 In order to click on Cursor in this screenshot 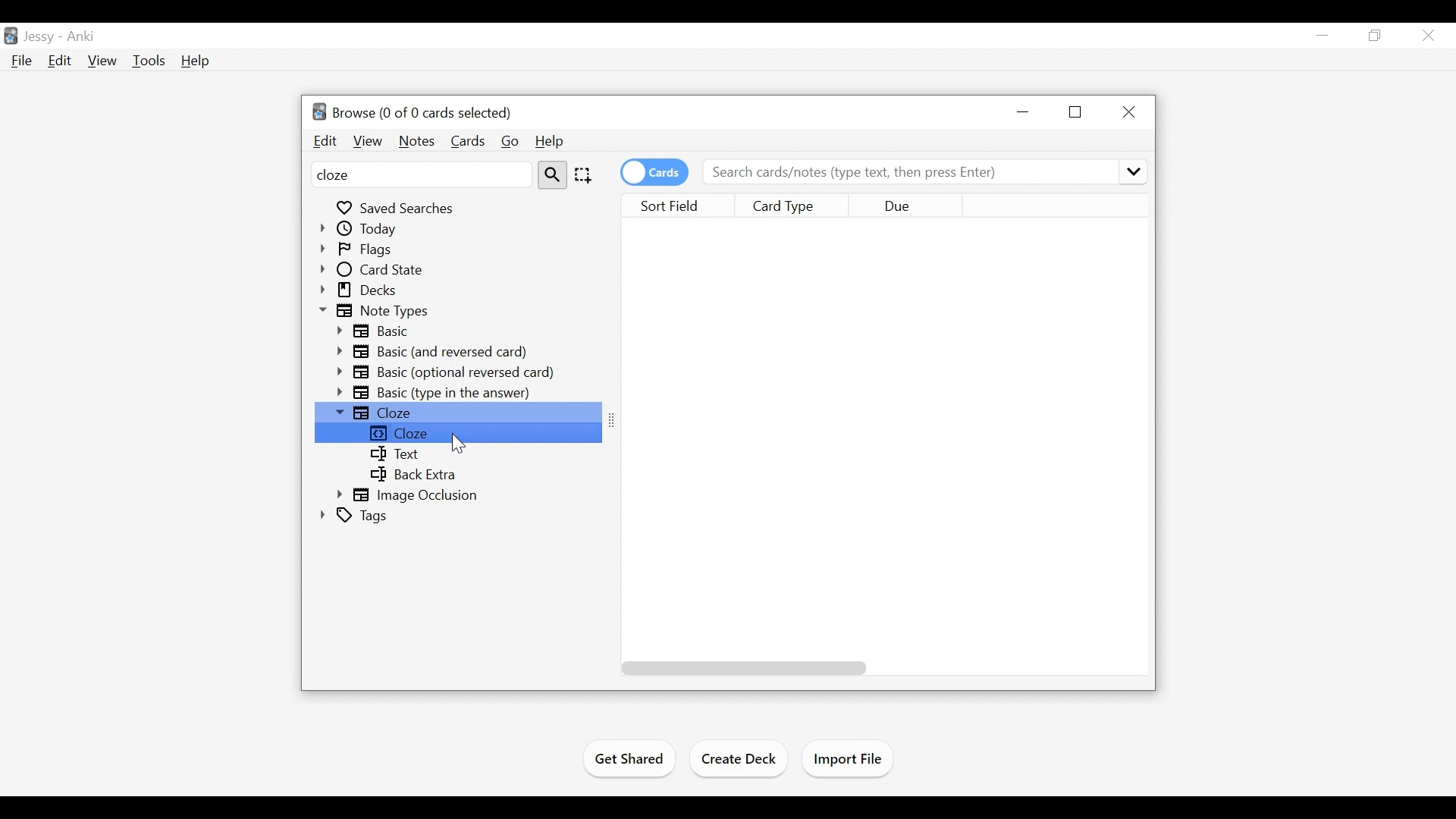, I will do `click(458, 444)`.